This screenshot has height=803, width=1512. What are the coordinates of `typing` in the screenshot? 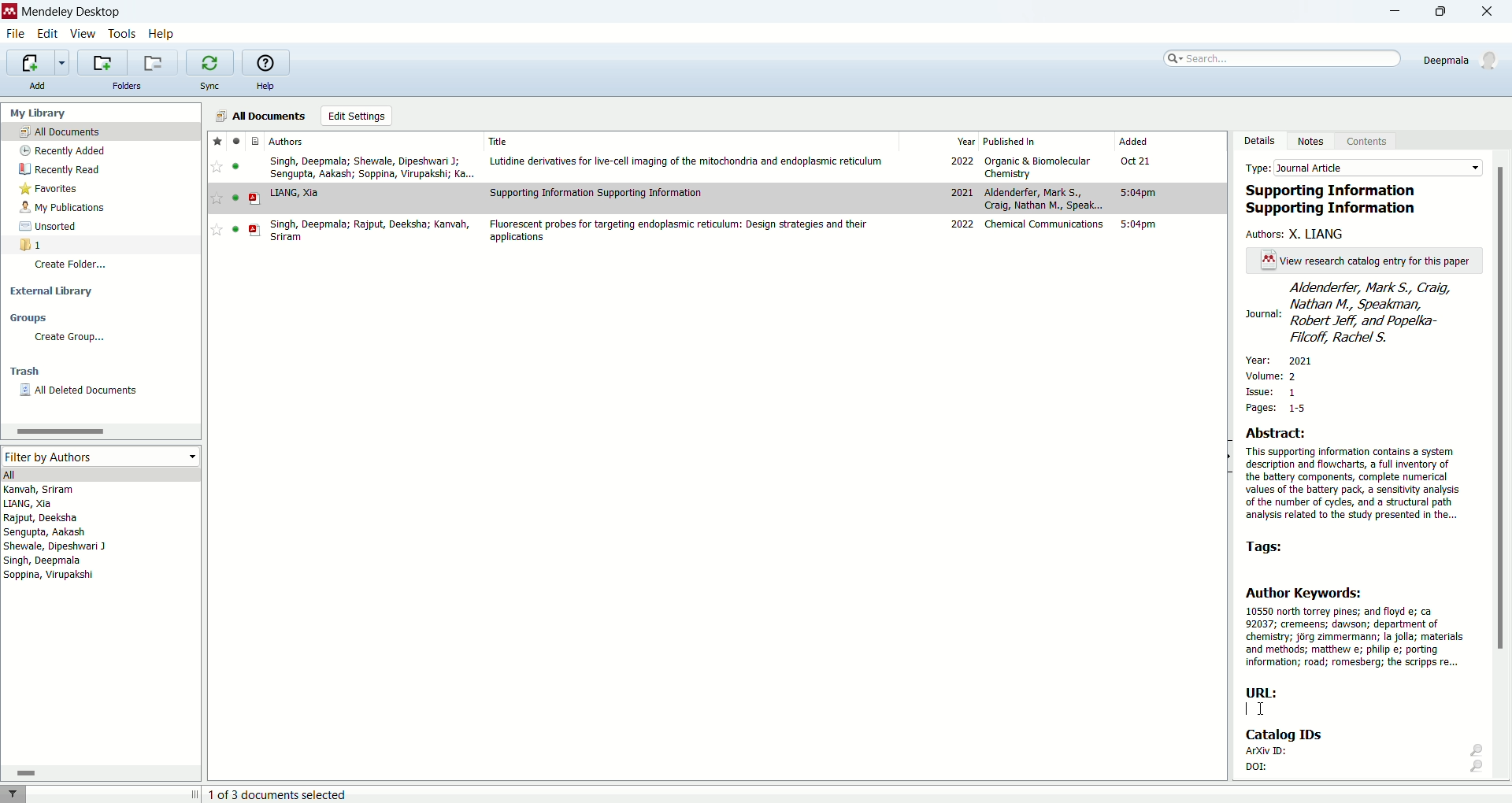 It's located at (1256, 709).